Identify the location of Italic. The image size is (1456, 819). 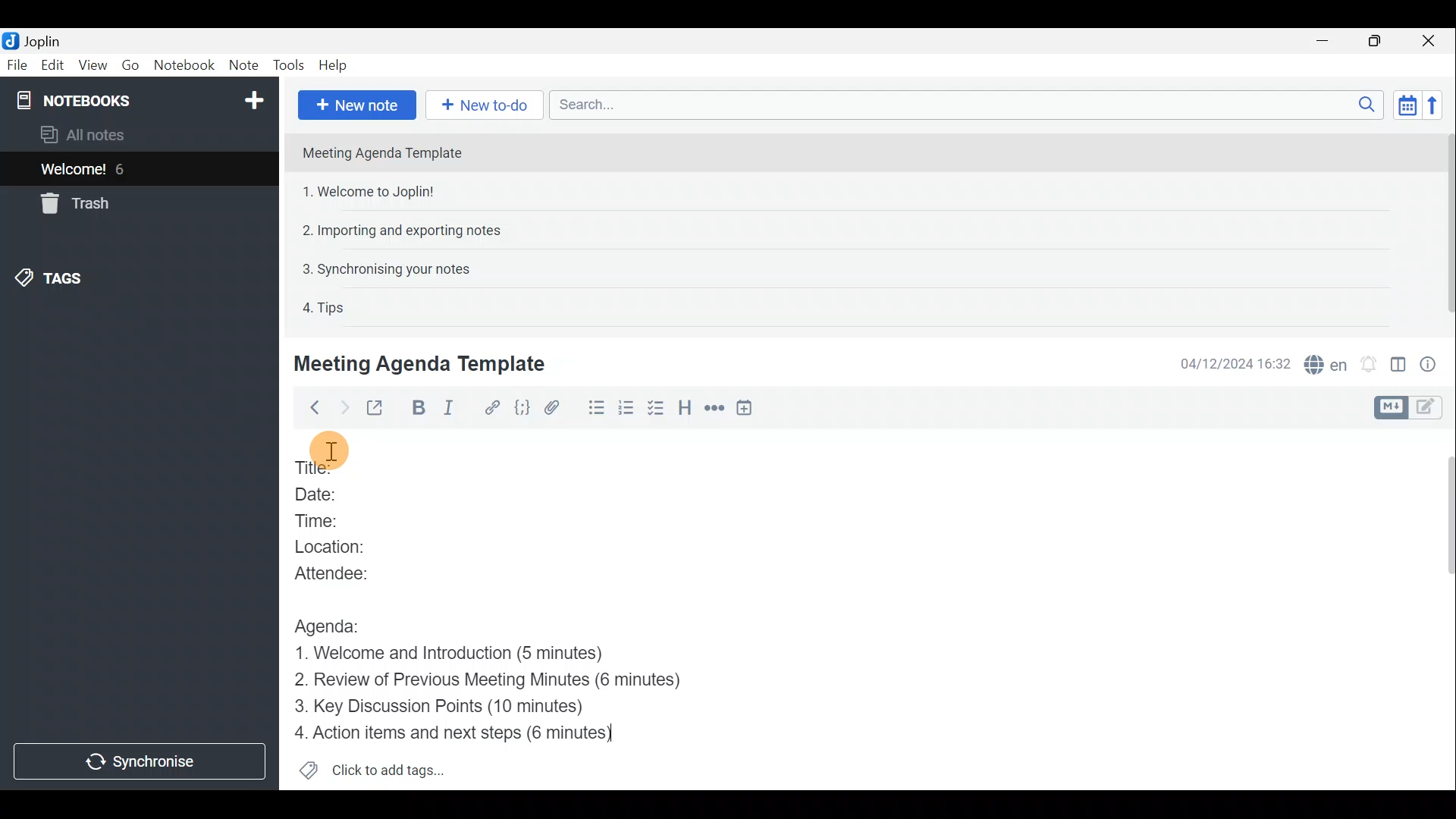
(457, 409).